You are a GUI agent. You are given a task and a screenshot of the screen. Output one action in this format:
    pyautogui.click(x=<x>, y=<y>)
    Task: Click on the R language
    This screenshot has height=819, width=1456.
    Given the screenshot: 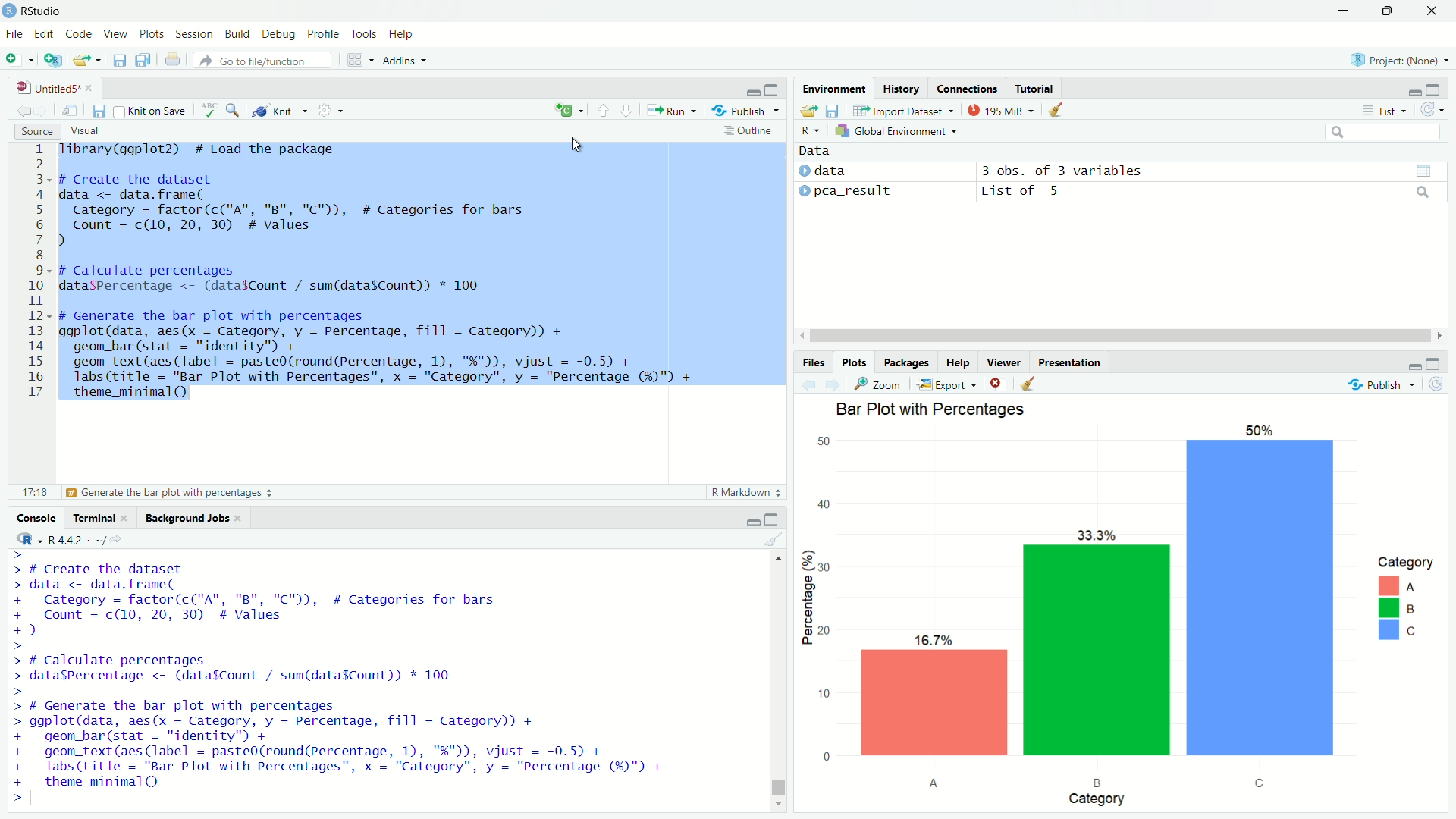 What is the action you would take?
    pyautogui.click(x=27, y=538)
    